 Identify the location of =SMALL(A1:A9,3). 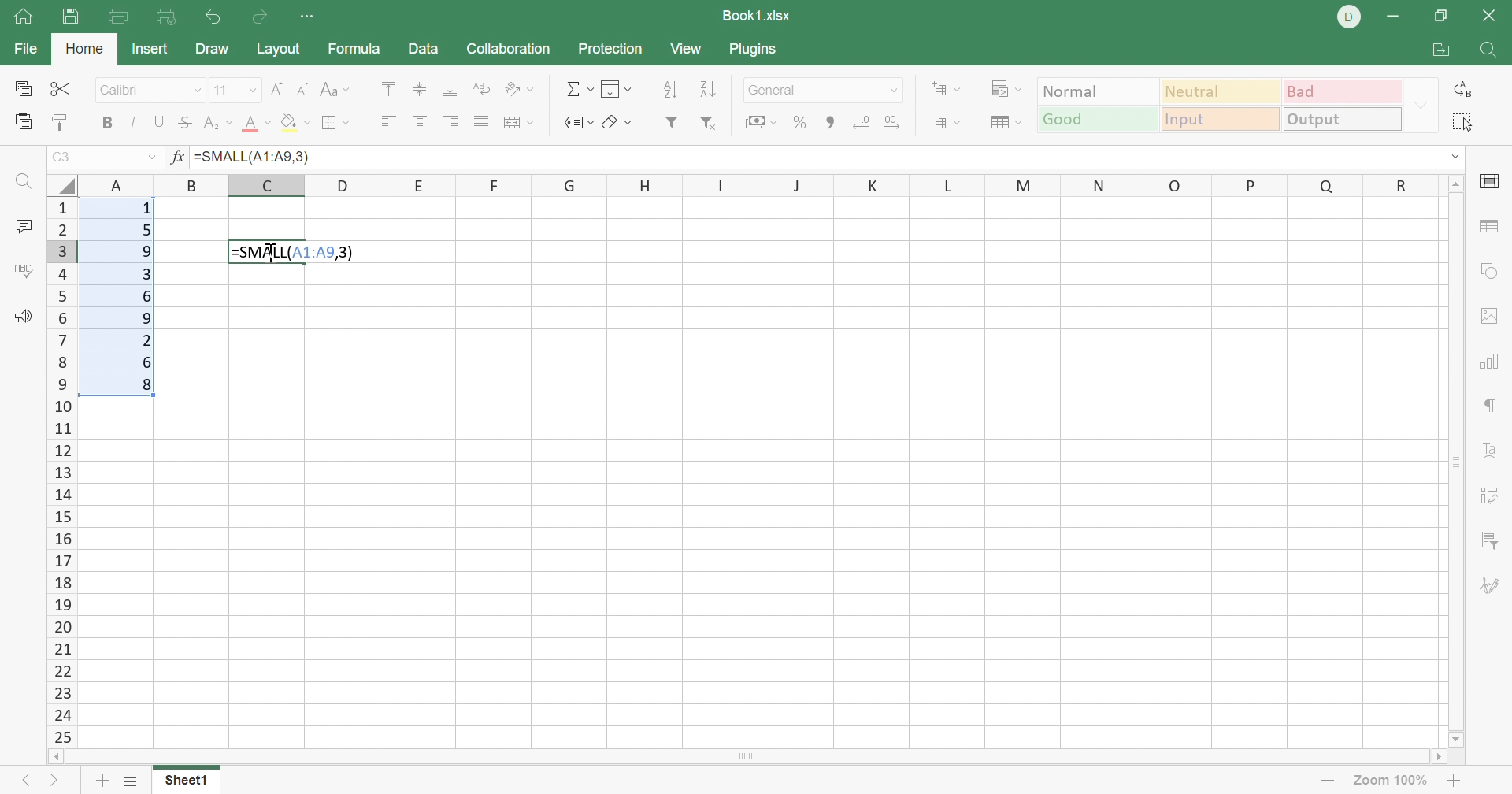
(255, 158).